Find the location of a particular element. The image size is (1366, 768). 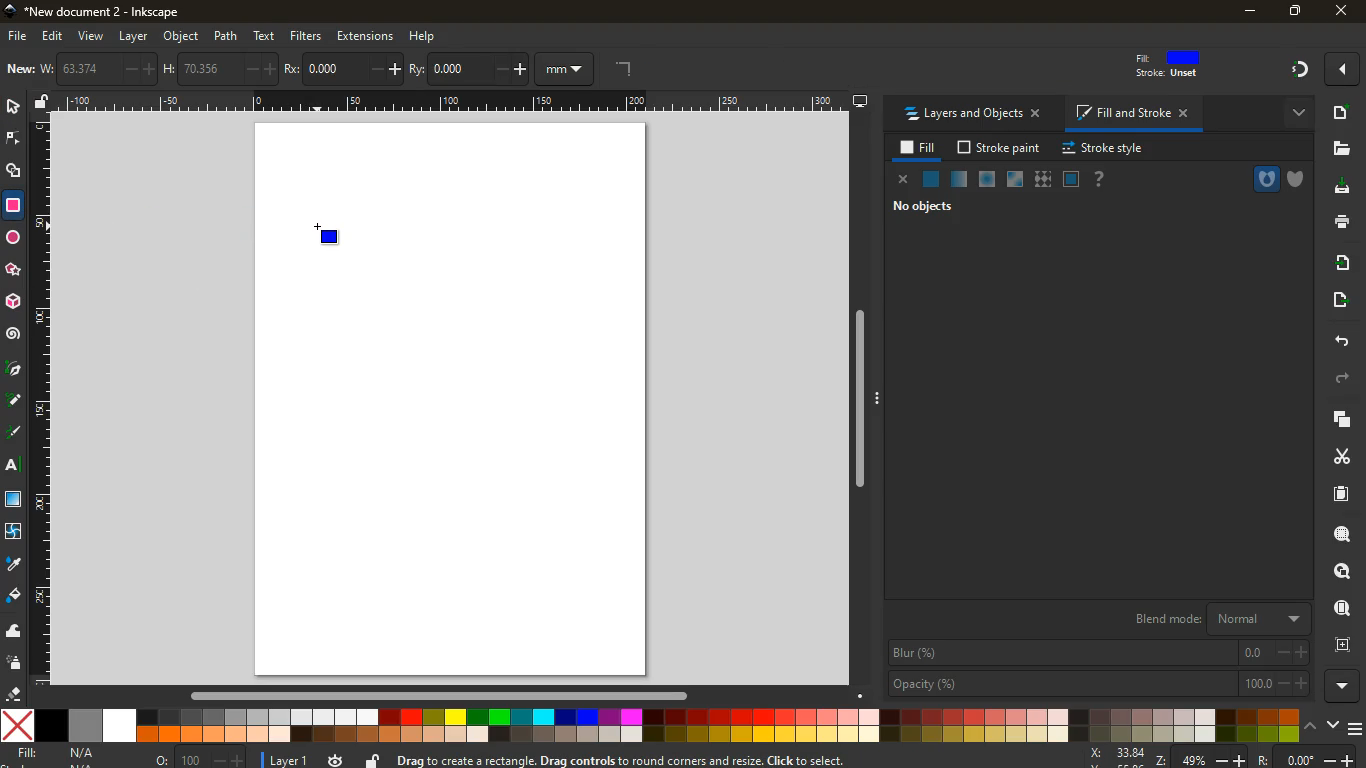

desktop is located at coordinates (860, 101).